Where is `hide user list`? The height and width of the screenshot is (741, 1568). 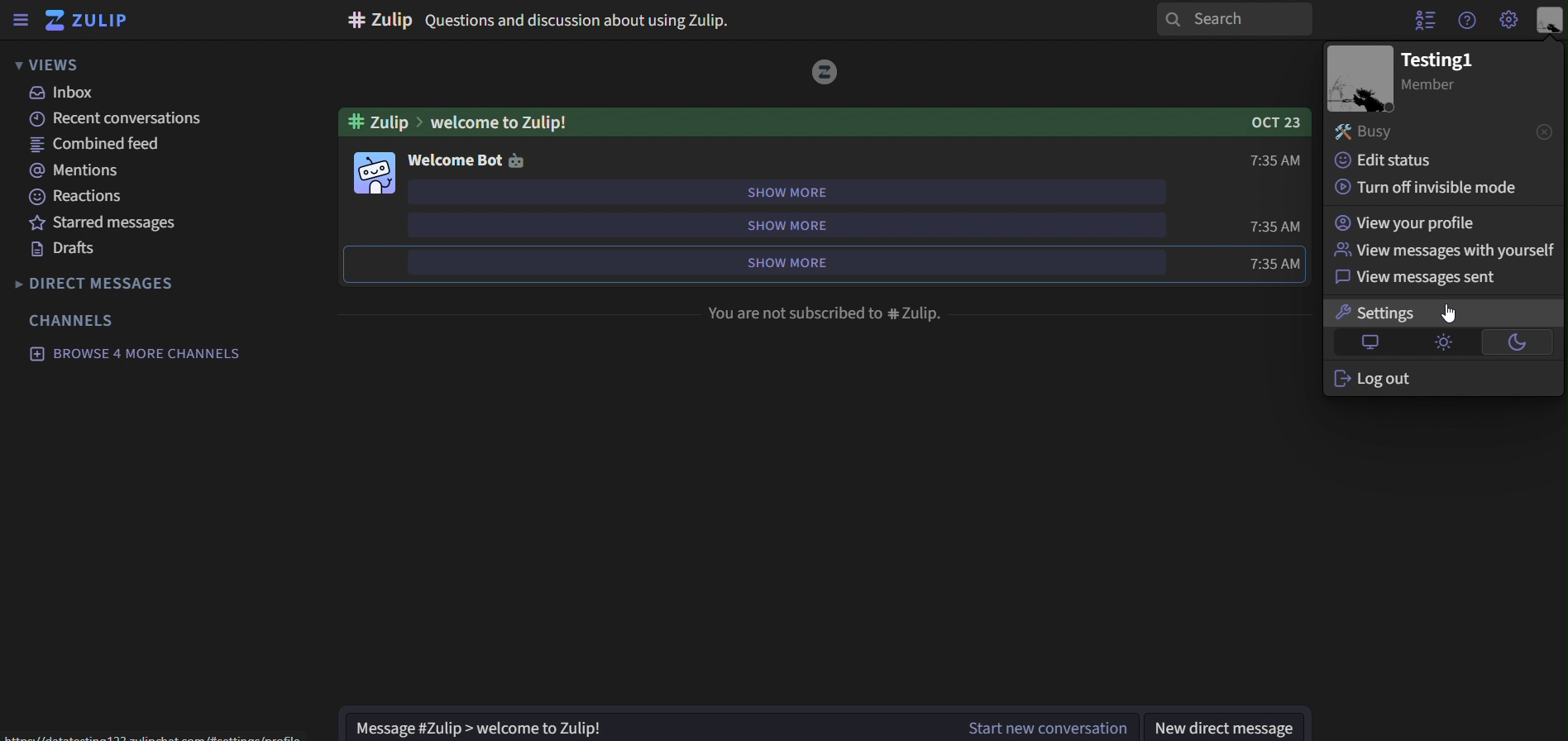
hide user list is located at coordinates (1425, 18).